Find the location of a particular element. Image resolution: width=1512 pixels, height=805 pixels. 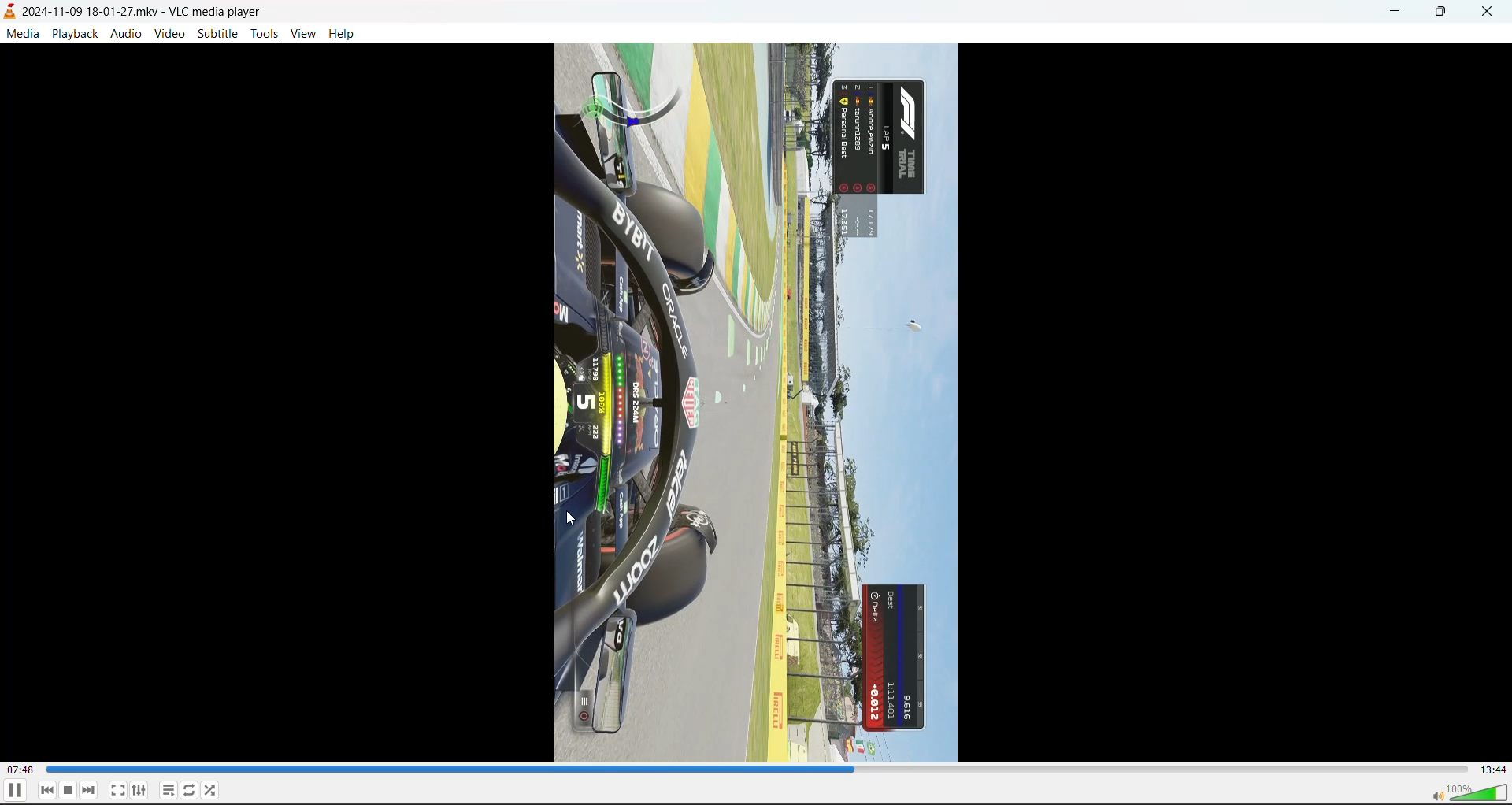

help is located at coordinates (343, 33).